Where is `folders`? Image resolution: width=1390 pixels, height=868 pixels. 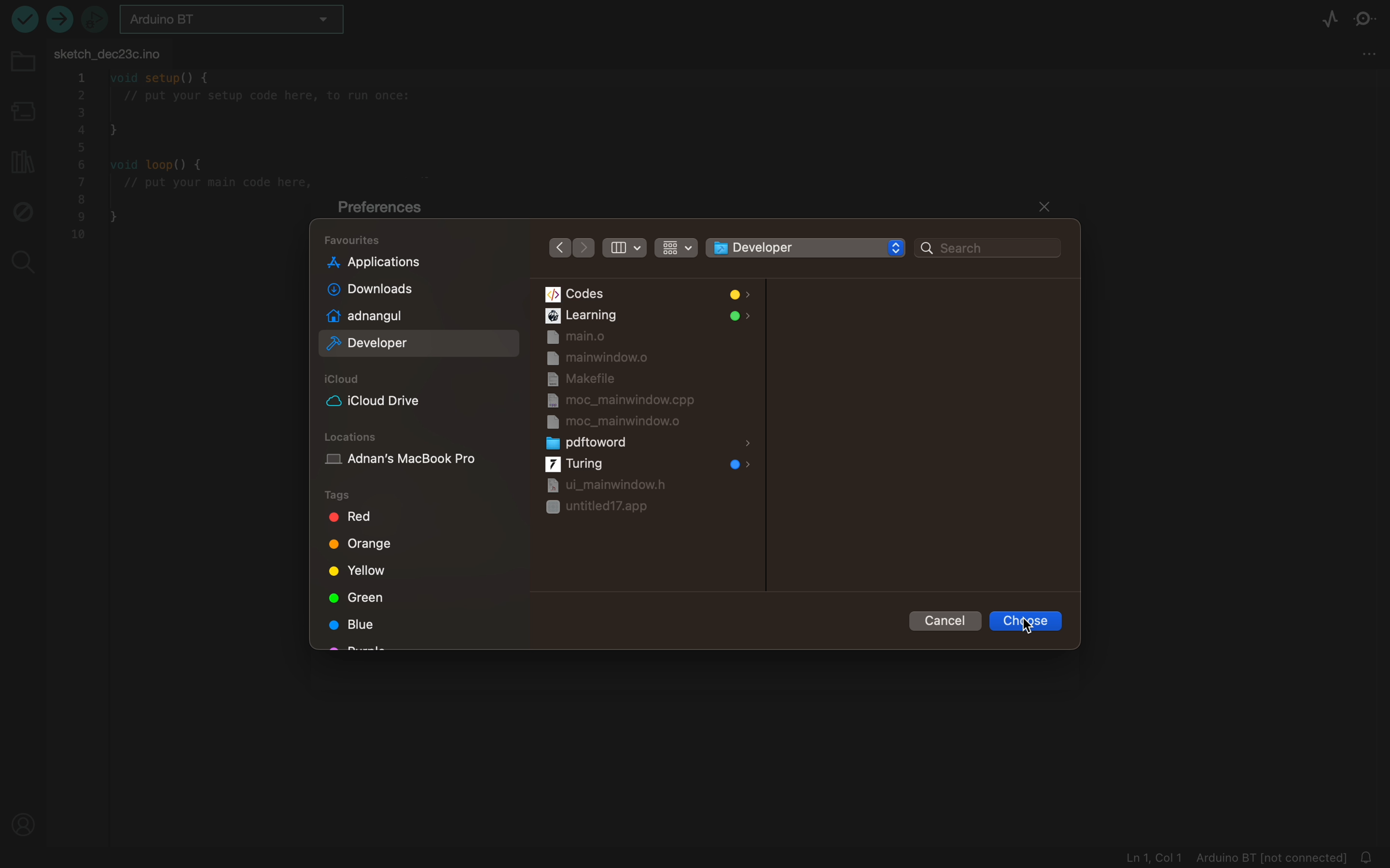
folders is located at coordinates (651, 292).